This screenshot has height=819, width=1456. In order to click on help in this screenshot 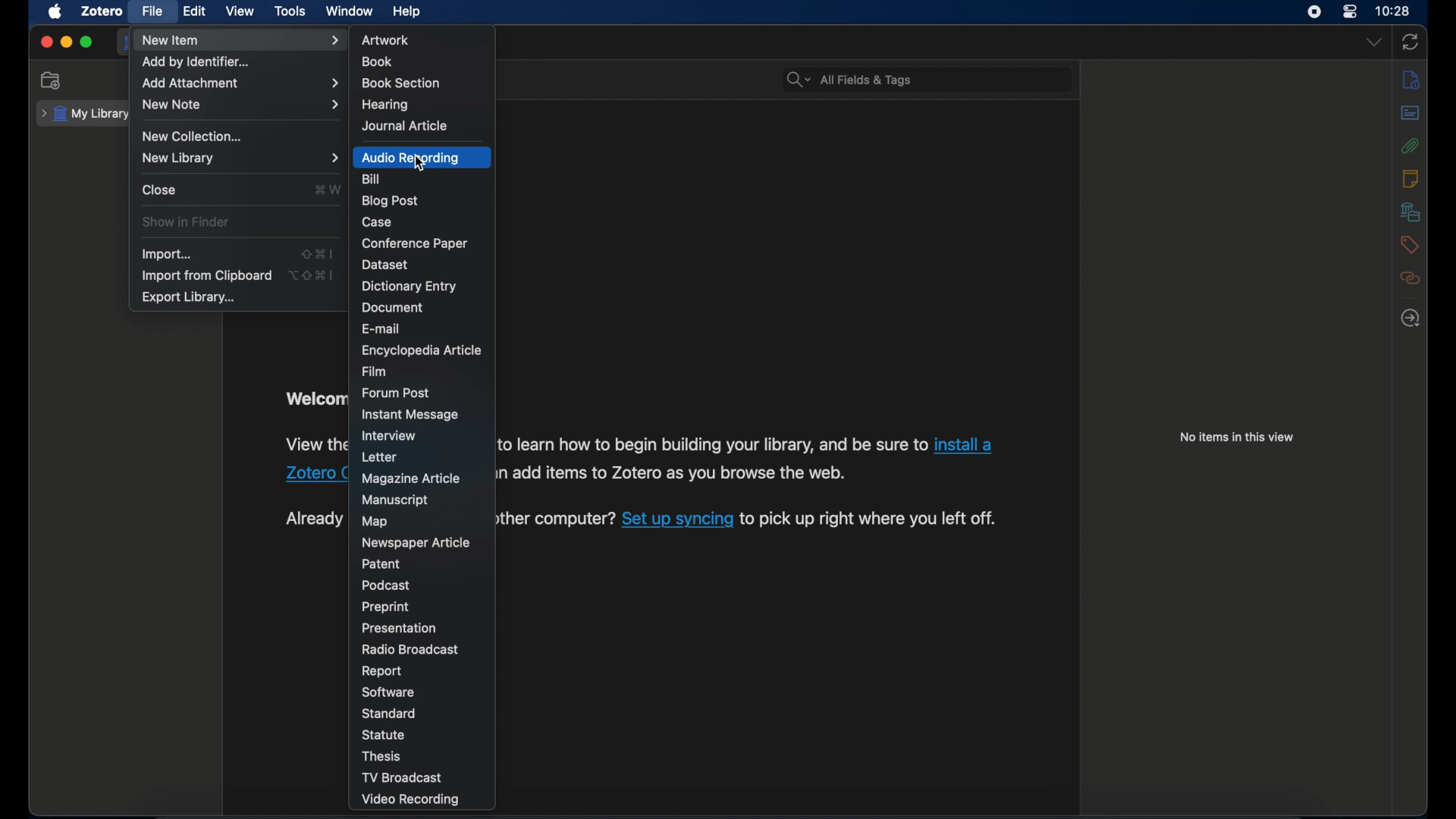, I will do `click(406, 11)`.